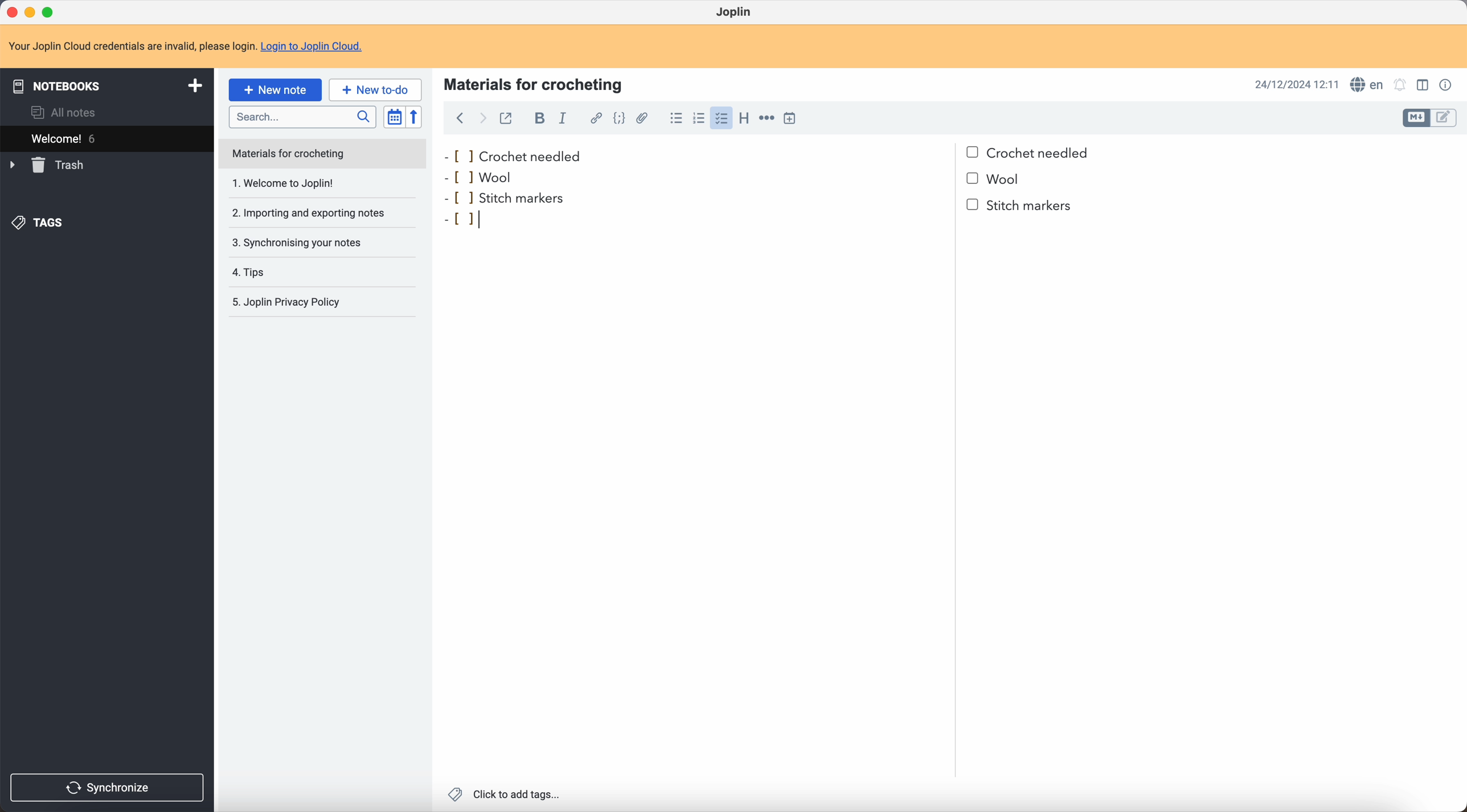  What do you see at coordinates (506, 795) in the screenshot?
I see `click to add tags` at bounding box center [506, 795].